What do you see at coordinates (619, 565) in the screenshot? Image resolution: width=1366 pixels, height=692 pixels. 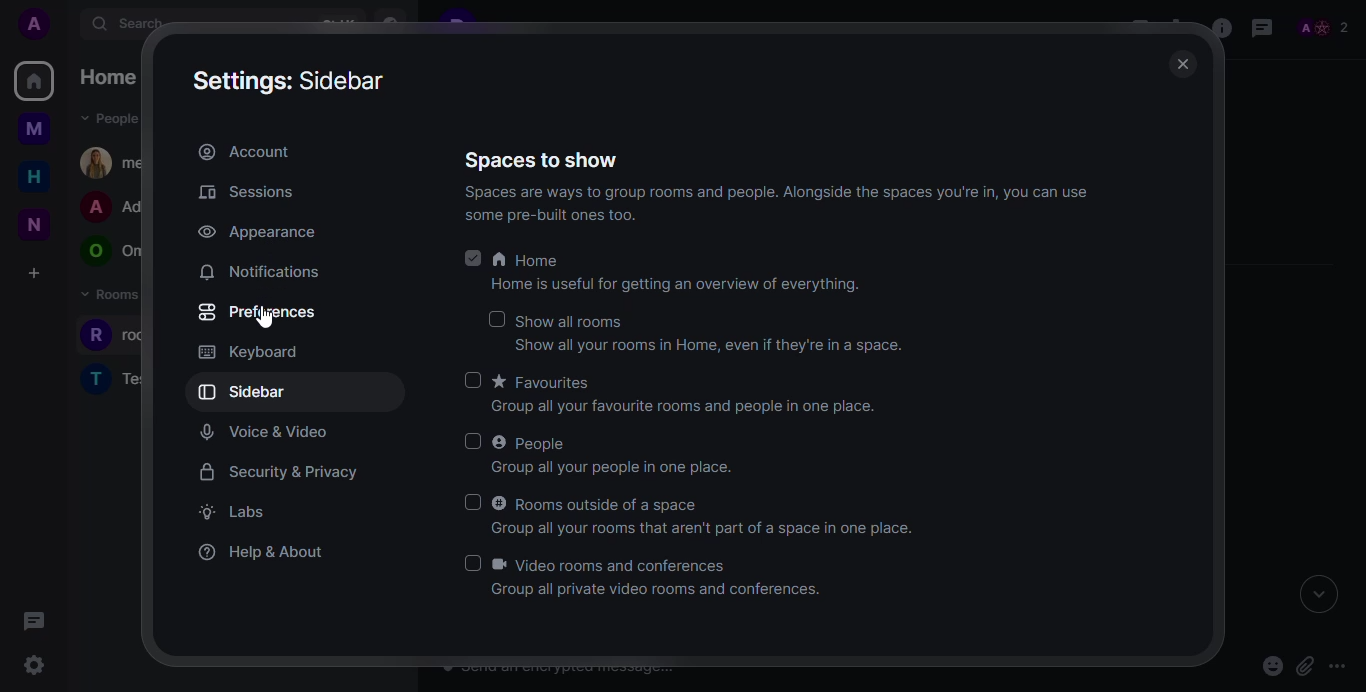 I see `video rooms and conferences` at bounding box center [619, 565].